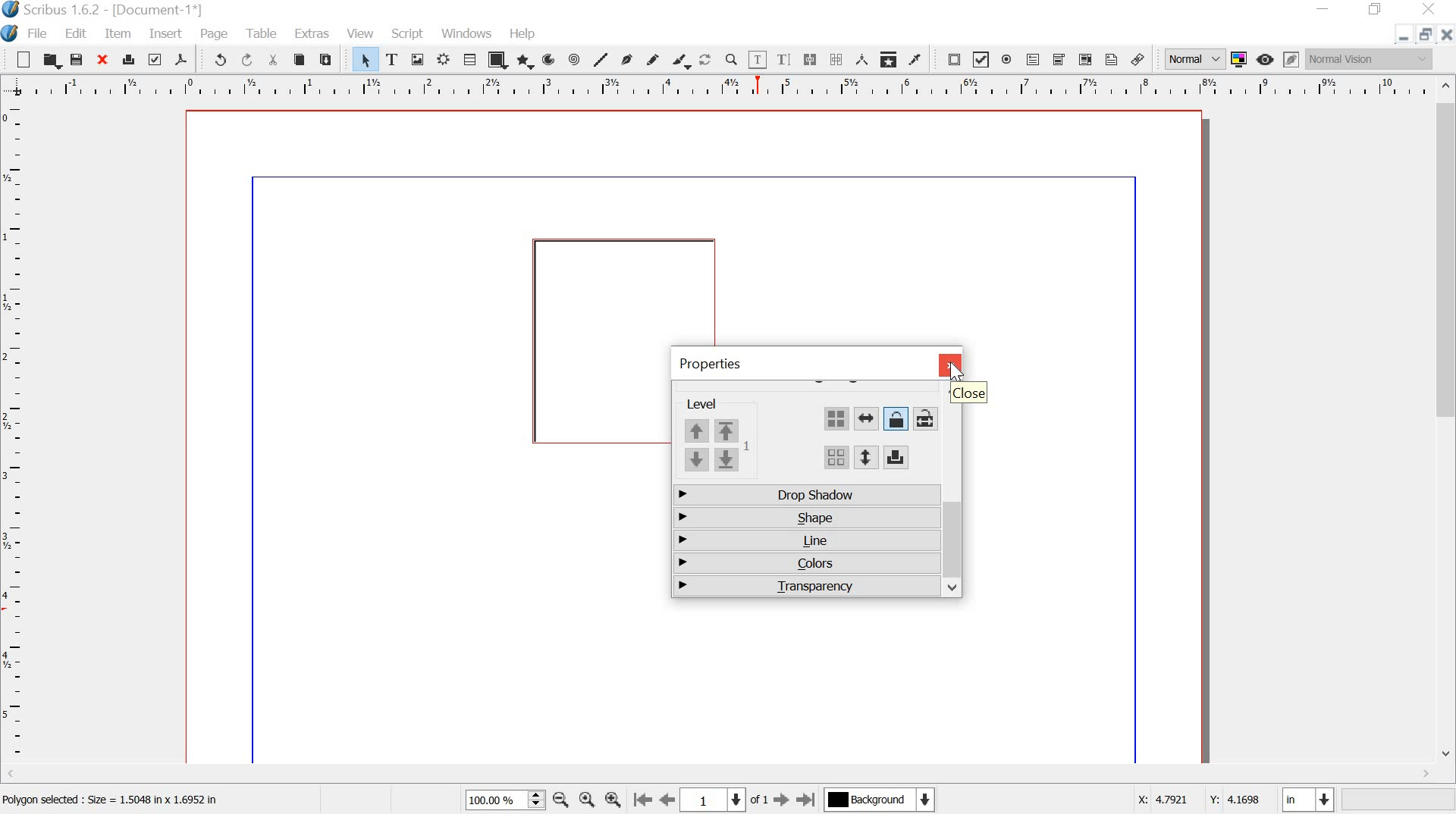 The image size is (1456, 814). I want to click on ungroup, so click(836, 459).